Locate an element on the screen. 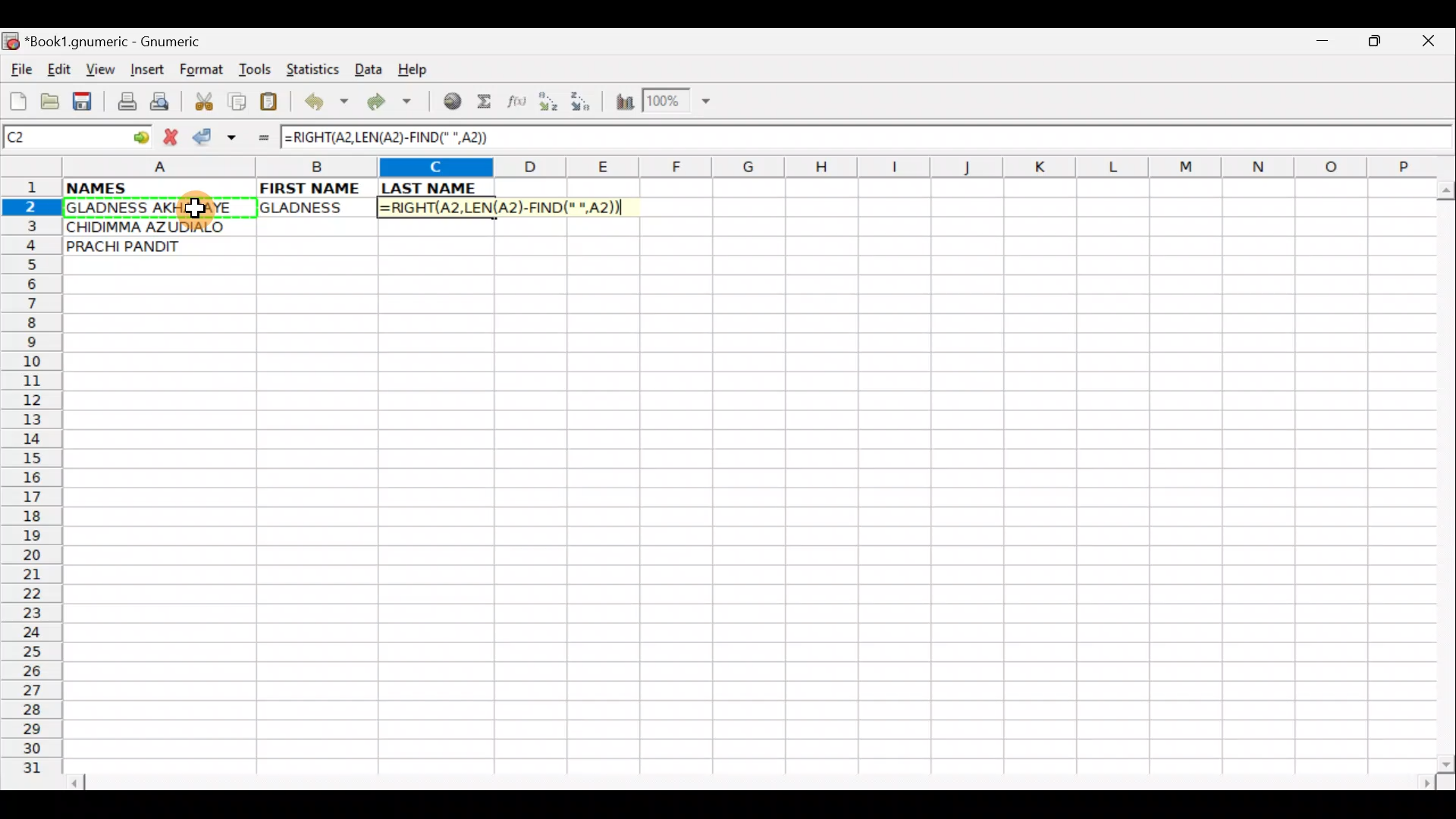 Image resolution: width=1456 pixels, height=819 pixels. Undo last action is located at coordinates (328, 104).